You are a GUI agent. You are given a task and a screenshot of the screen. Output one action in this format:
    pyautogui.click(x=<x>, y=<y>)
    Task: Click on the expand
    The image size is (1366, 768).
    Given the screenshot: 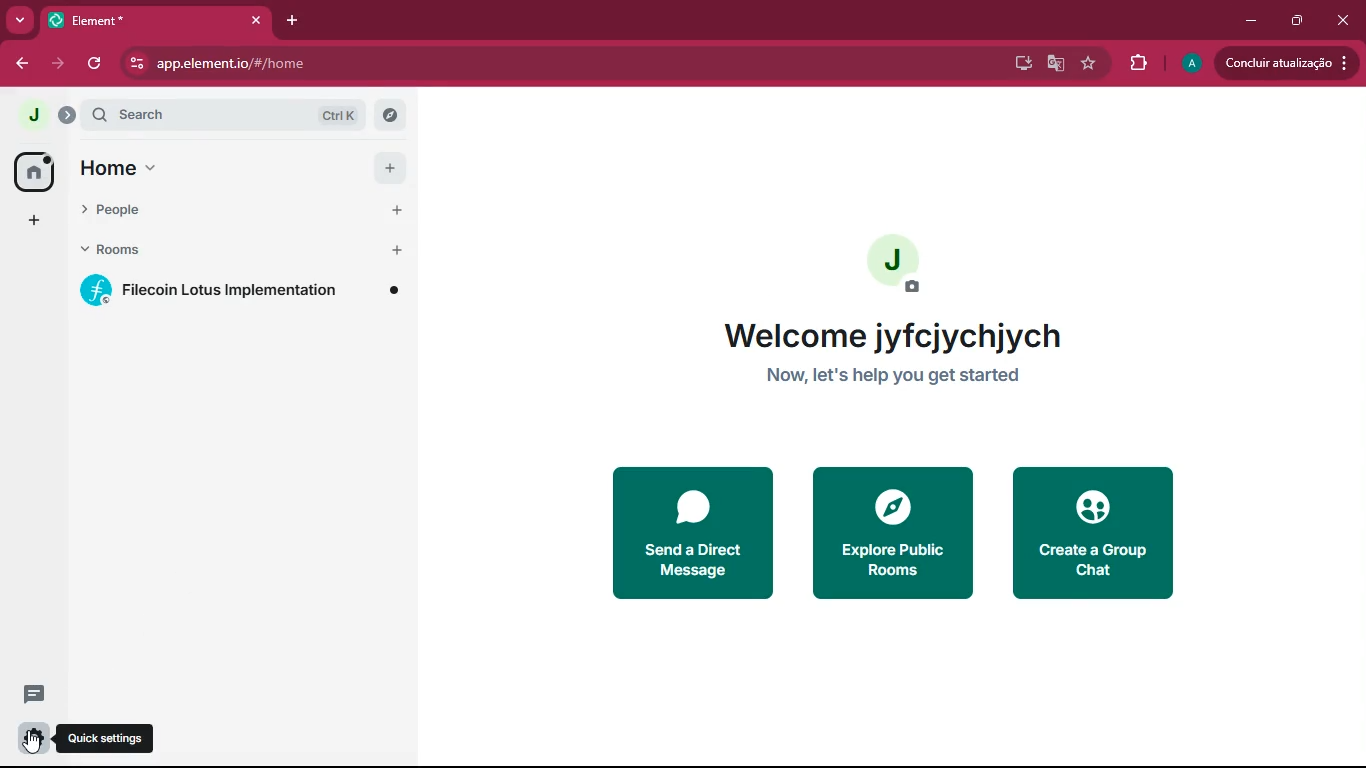 What is the action you would take?
    pyautogui.click(x=67, y=115)
    